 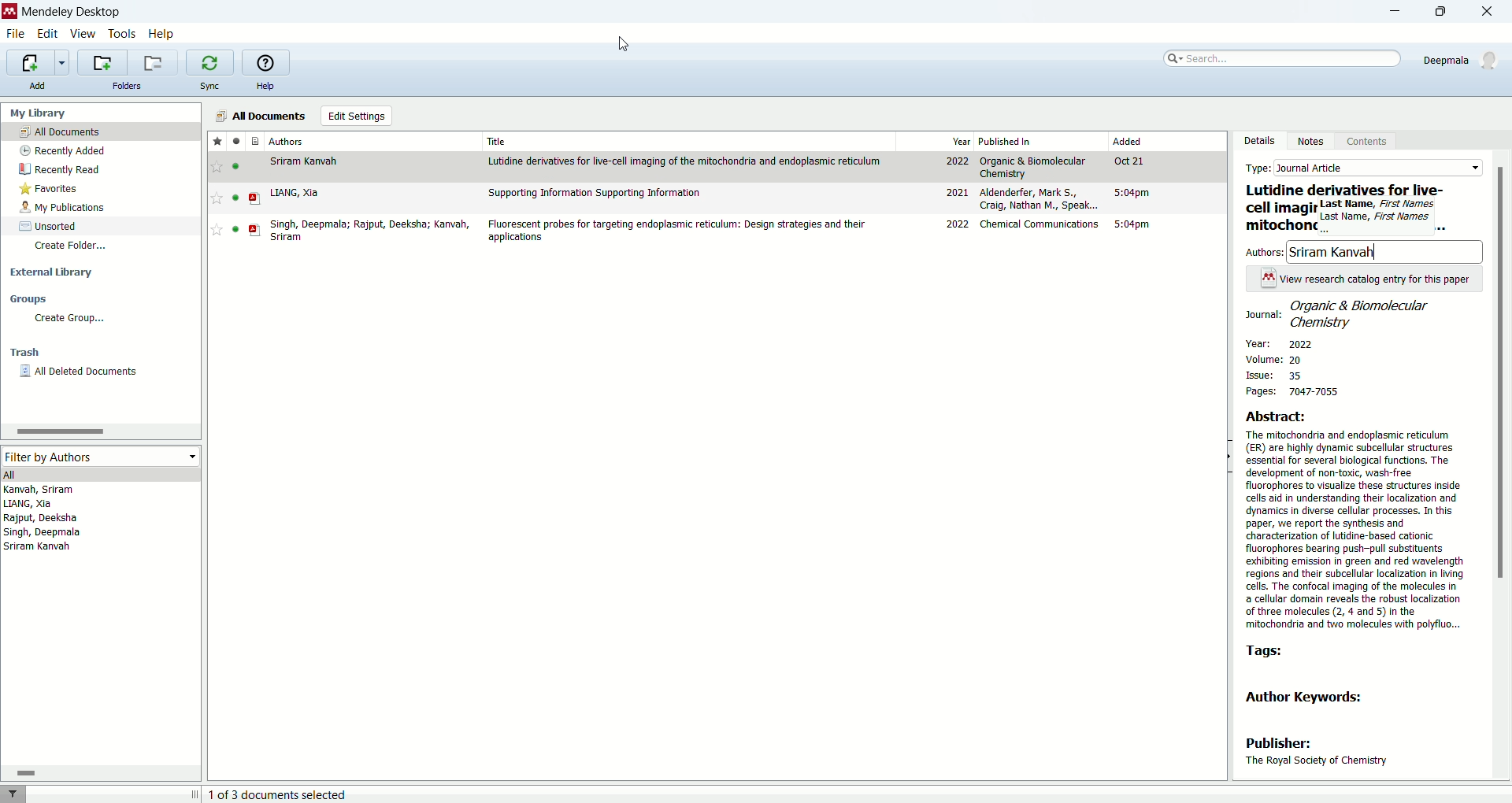 What do you see at coordinates (99, 431) in the screenshot?
I see `horizontal scroll bar` at bounding box center [99, 431].